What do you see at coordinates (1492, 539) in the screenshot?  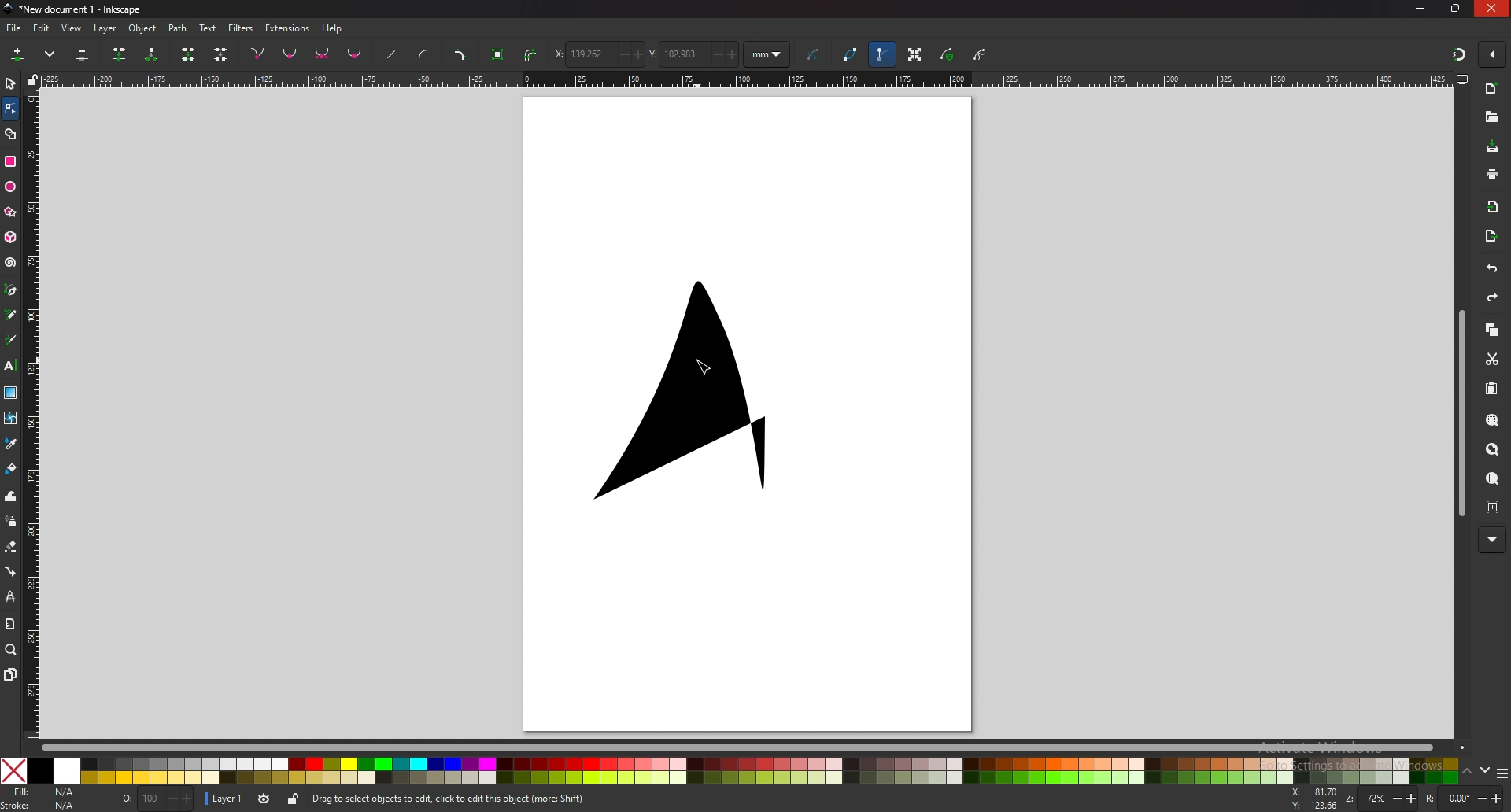 I see `more` at bounding box center [1492, 539].